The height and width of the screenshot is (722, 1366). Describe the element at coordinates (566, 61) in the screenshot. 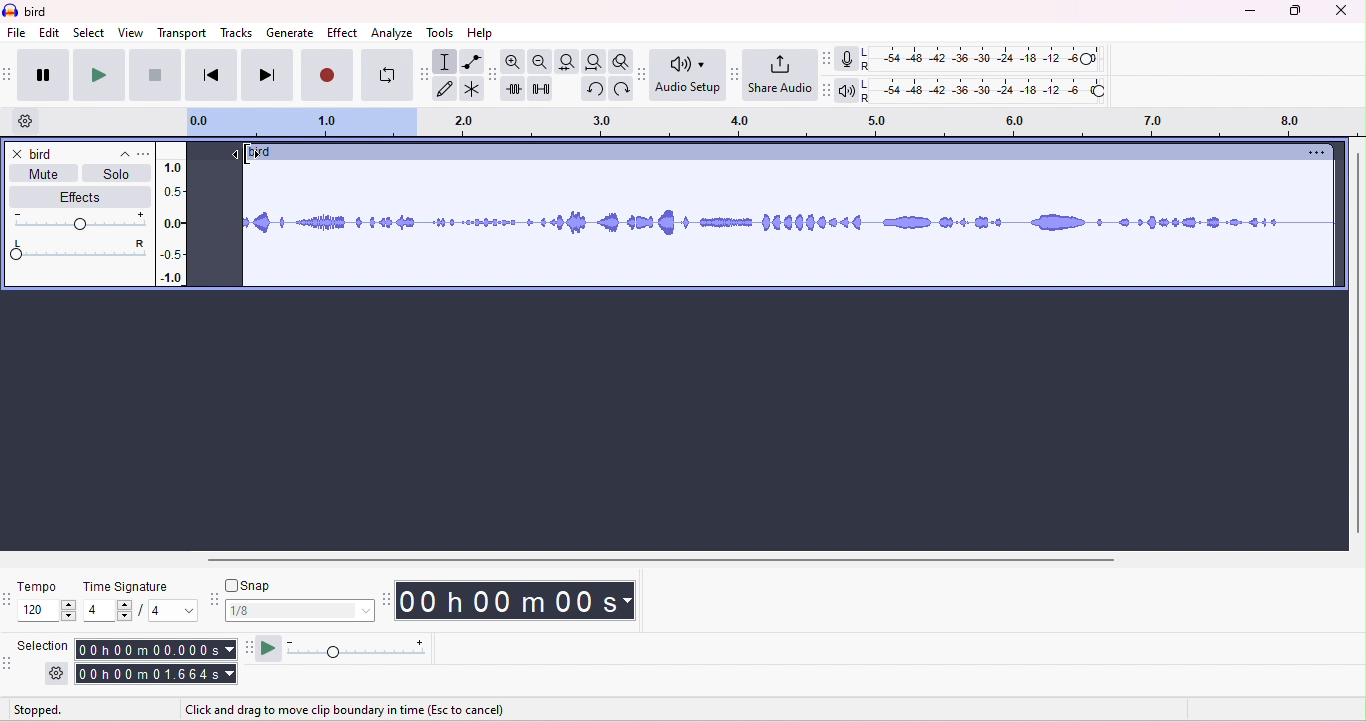

I see `fit selection to width` at that location.